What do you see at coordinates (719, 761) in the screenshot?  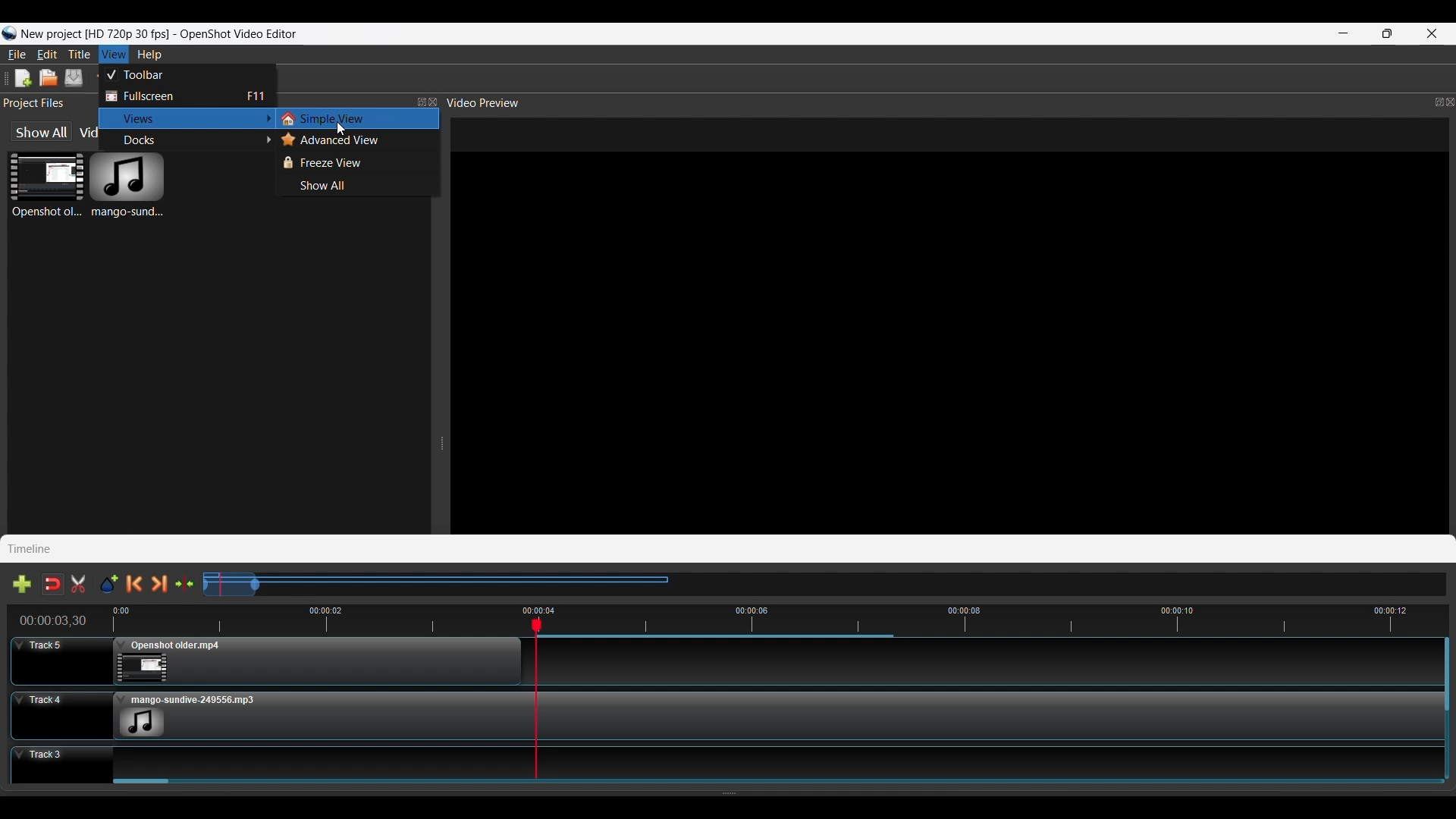 I see `Track 3` at bounding box center [719, 761].